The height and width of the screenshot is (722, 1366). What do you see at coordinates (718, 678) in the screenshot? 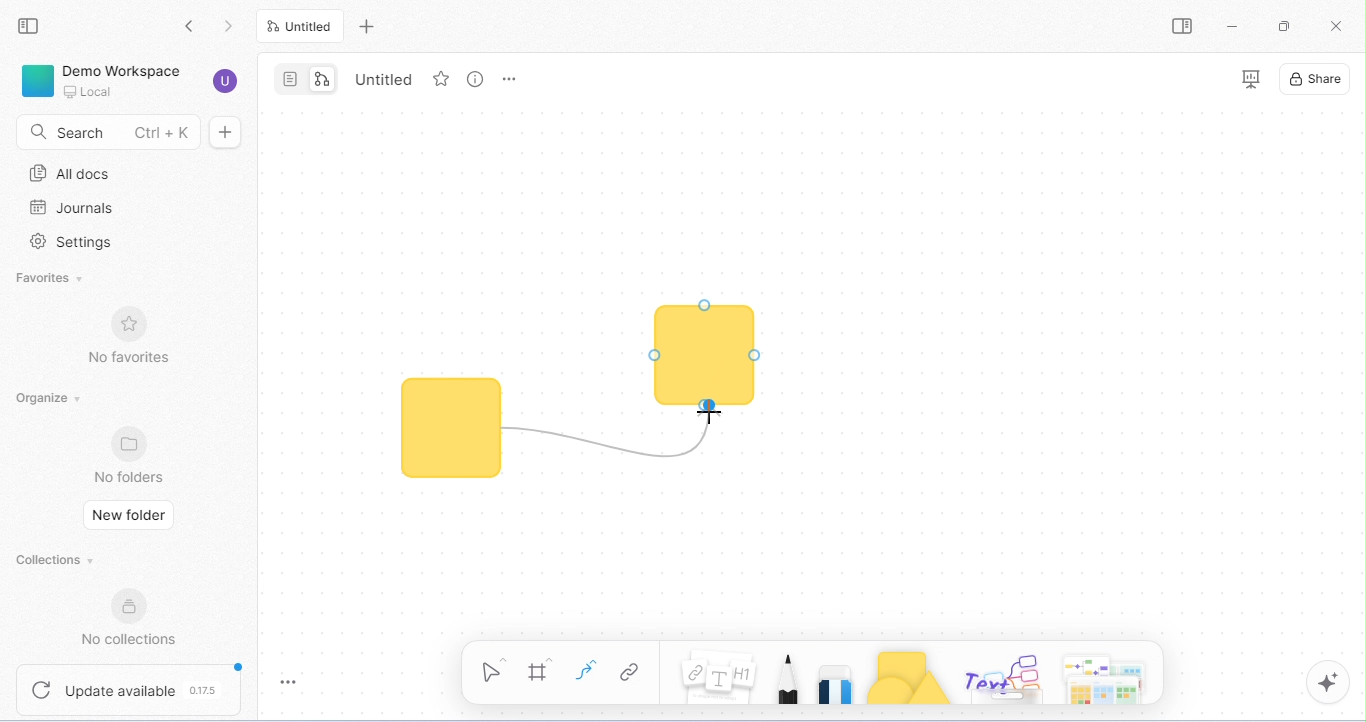
I see `notes` at bounding box center [718, 678].